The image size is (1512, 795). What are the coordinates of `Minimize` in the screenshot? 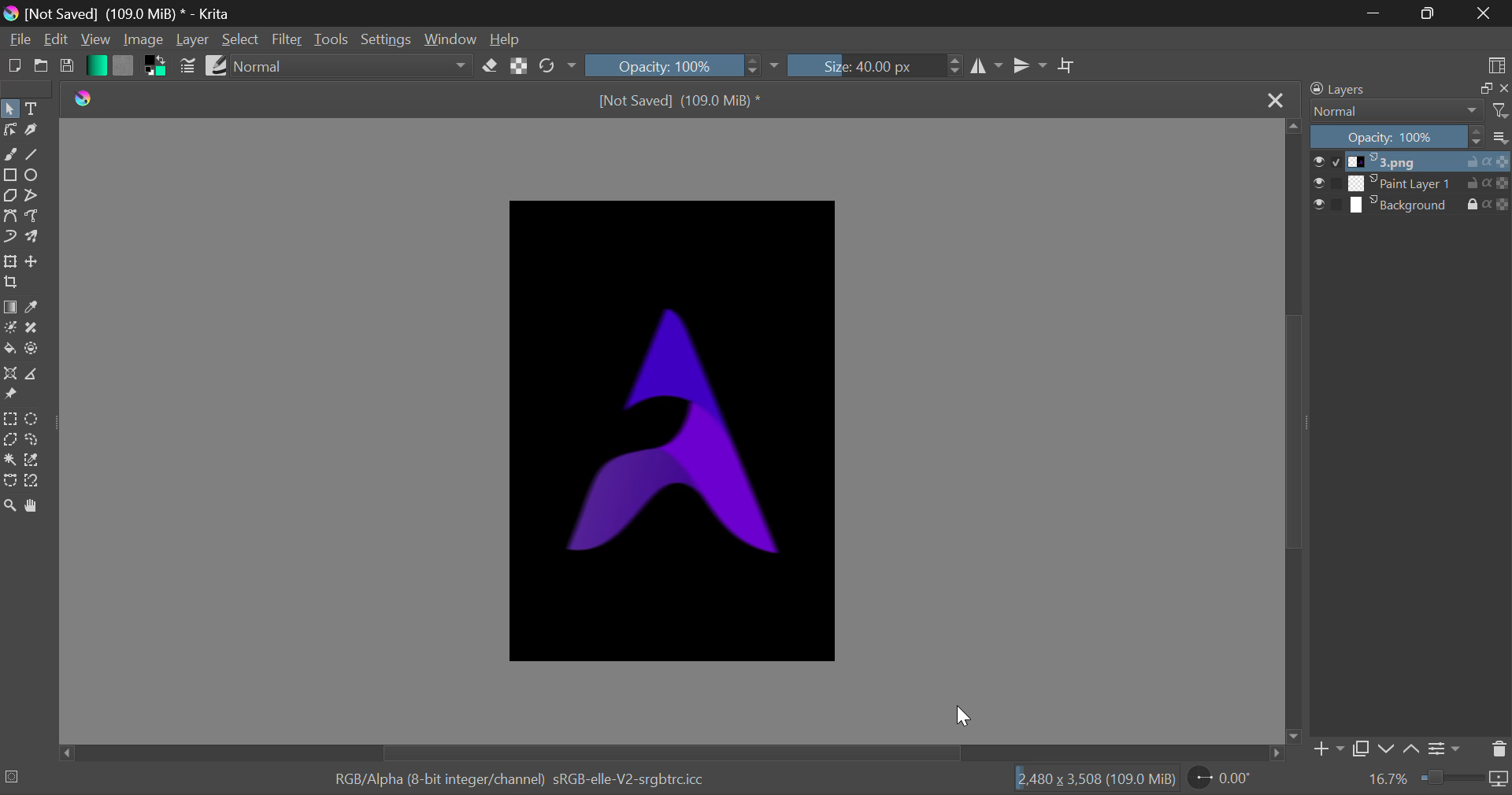 It's located at (1427, 13).